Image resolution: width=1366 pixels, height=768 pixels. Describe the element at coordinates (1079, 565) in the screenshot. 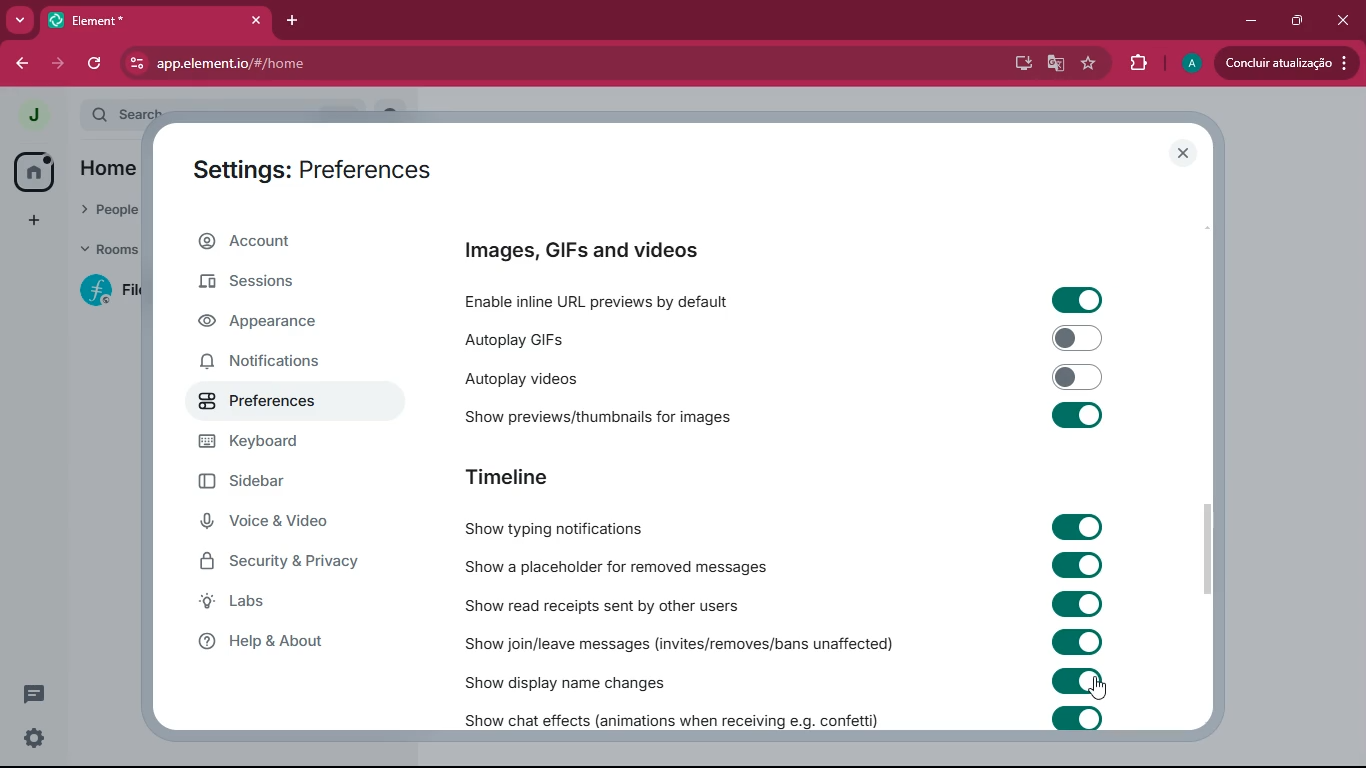

I see `toggle on/off` at that location.